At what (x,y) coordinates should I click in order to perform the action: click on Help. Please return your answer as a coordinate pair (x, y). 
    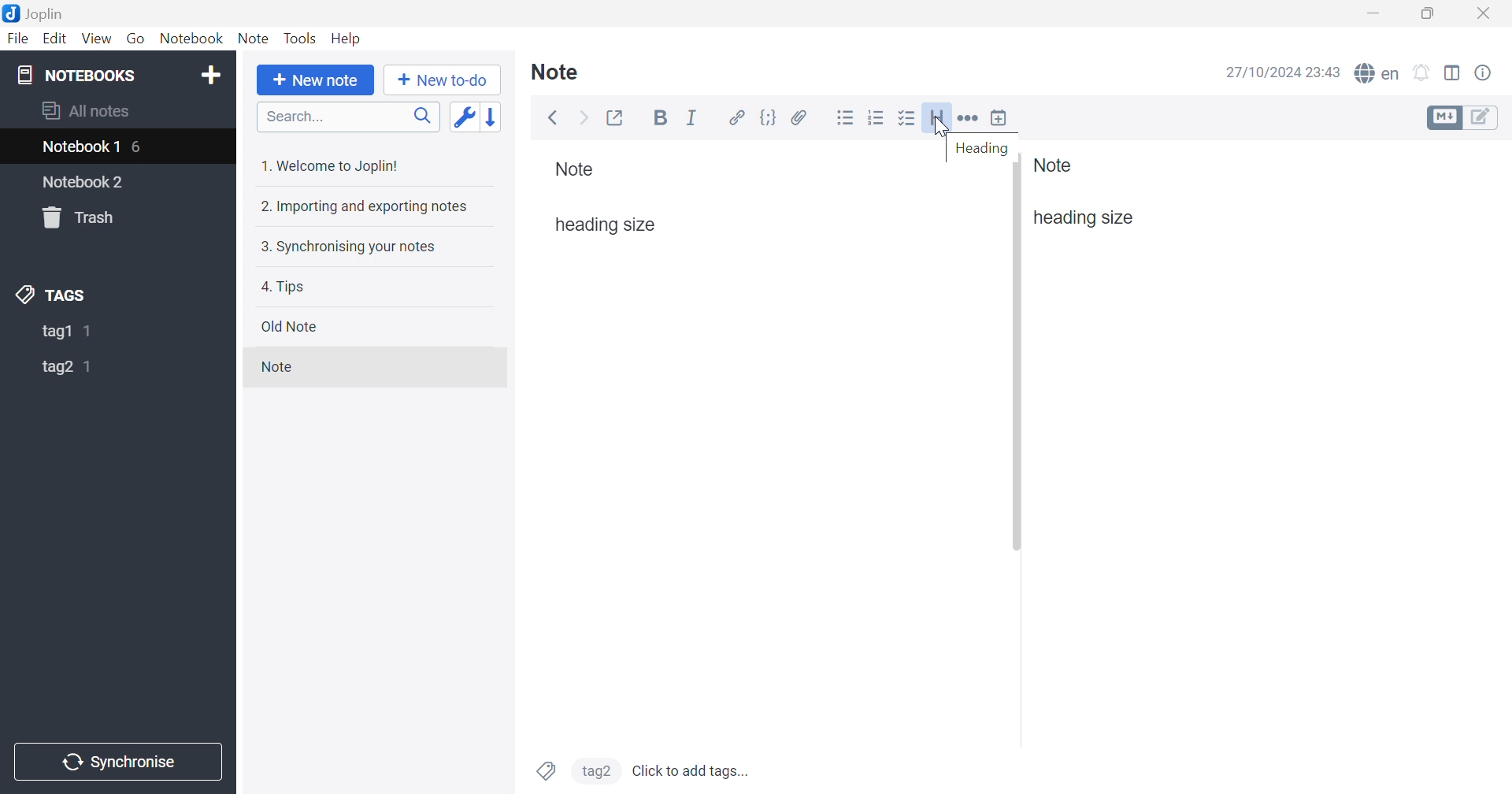
    Looking at the image, I should click on (346, 39).